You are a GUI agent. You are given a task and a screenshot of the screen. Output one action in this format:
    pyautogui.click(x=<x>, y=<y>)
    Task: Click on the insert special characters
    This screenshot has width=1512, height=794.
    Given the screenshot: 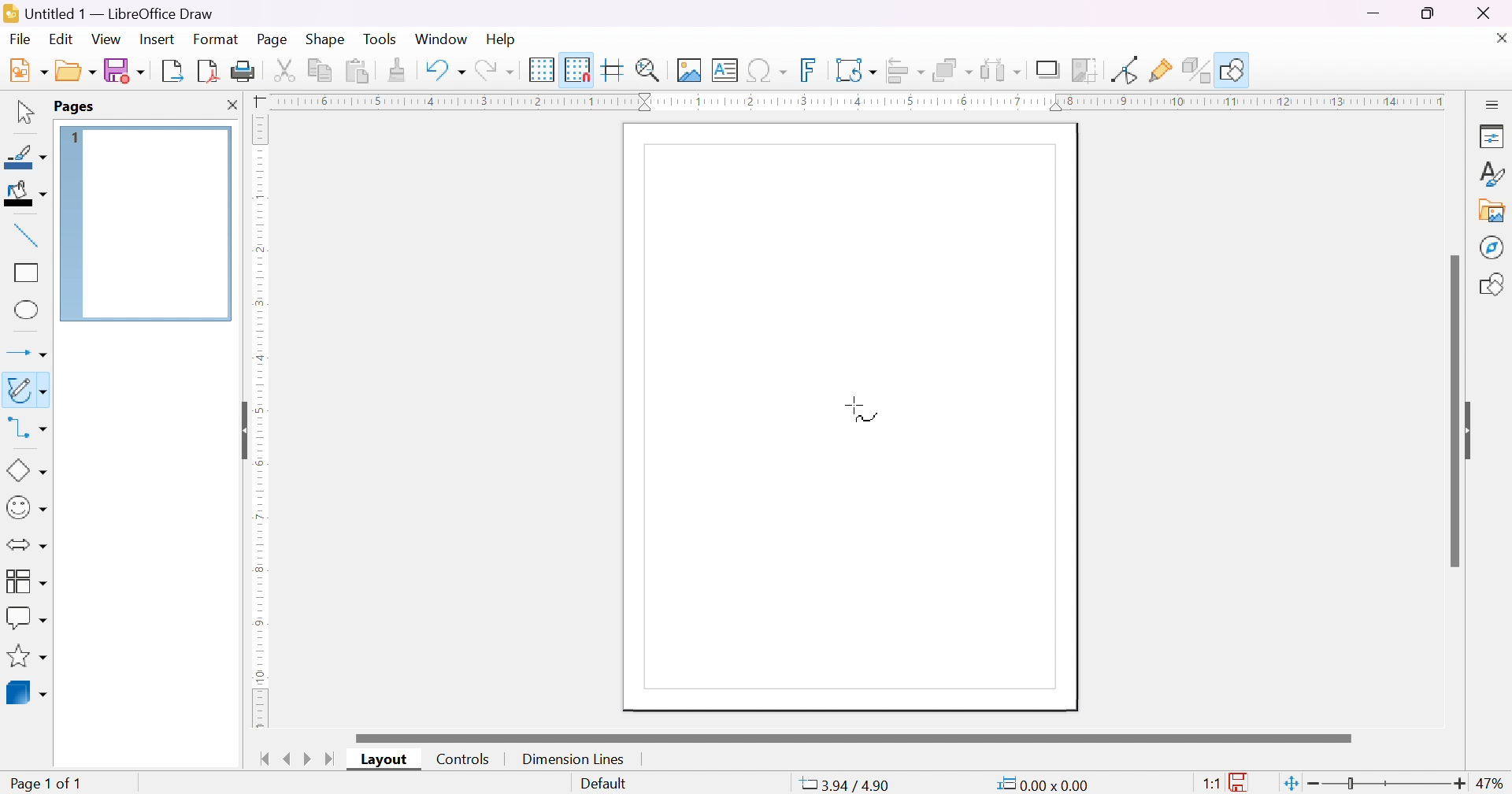 What is the action you would take?
    pyautogui.click(x=768, y=70)
    